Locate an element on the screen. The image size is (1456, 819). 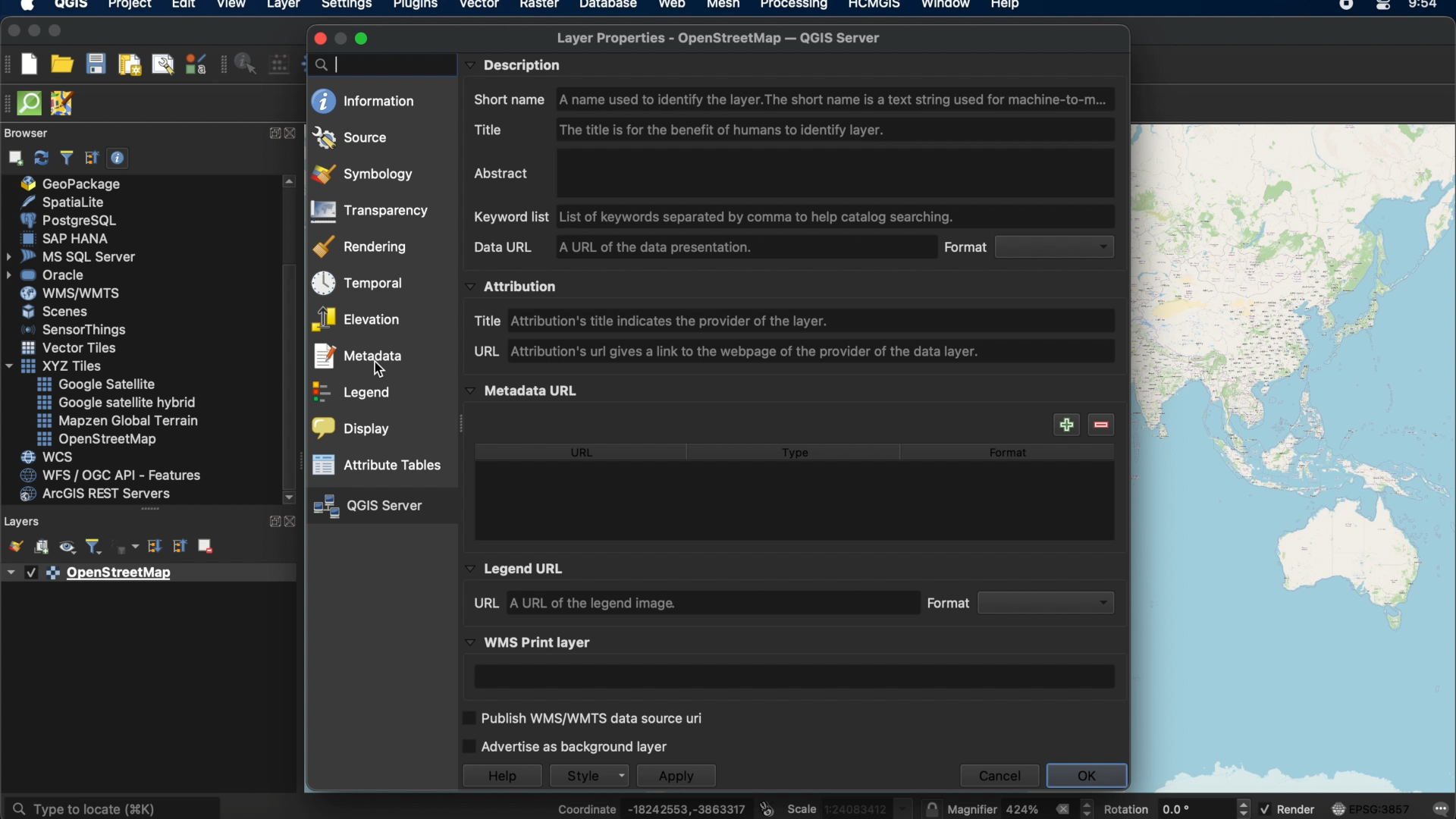
web is located at coordinates (672, 6).